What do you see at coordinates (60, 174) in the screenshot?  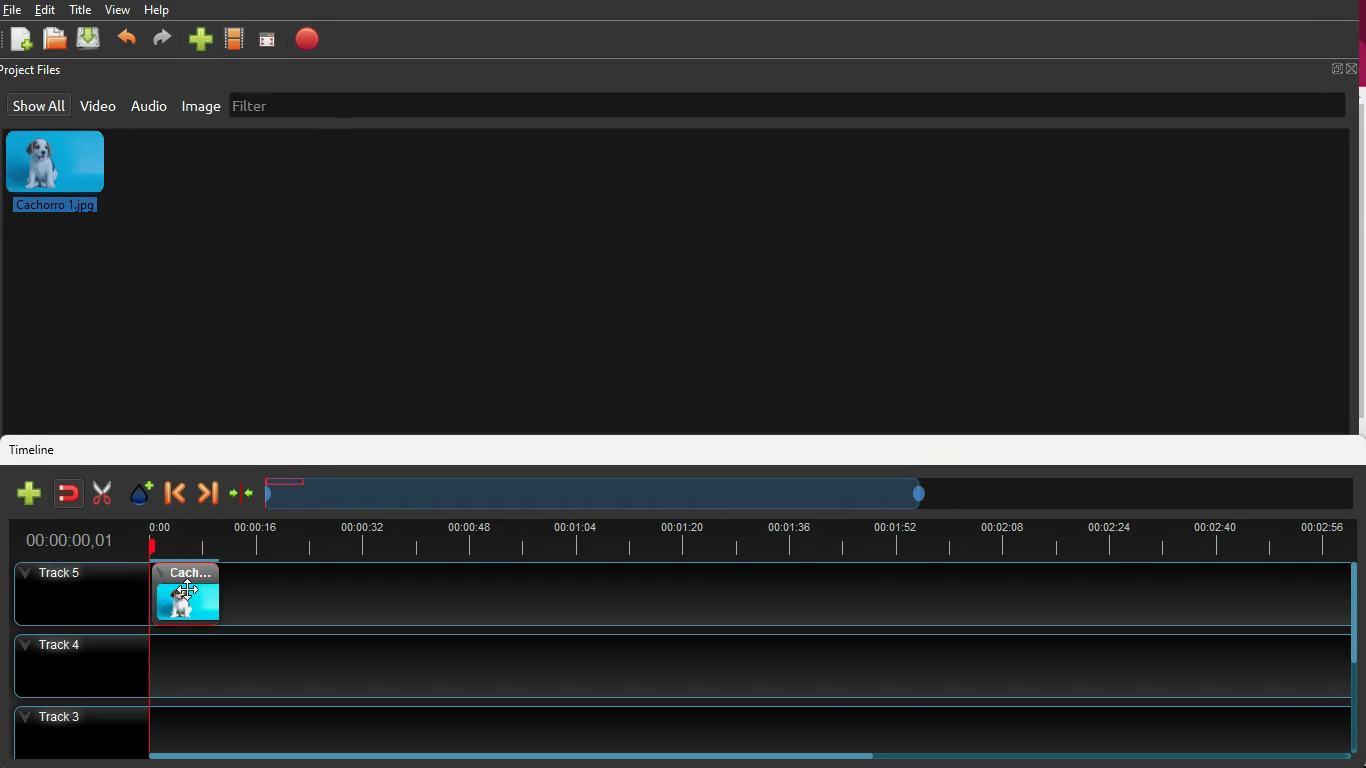 I see `image` at bounding box center [60, 174].